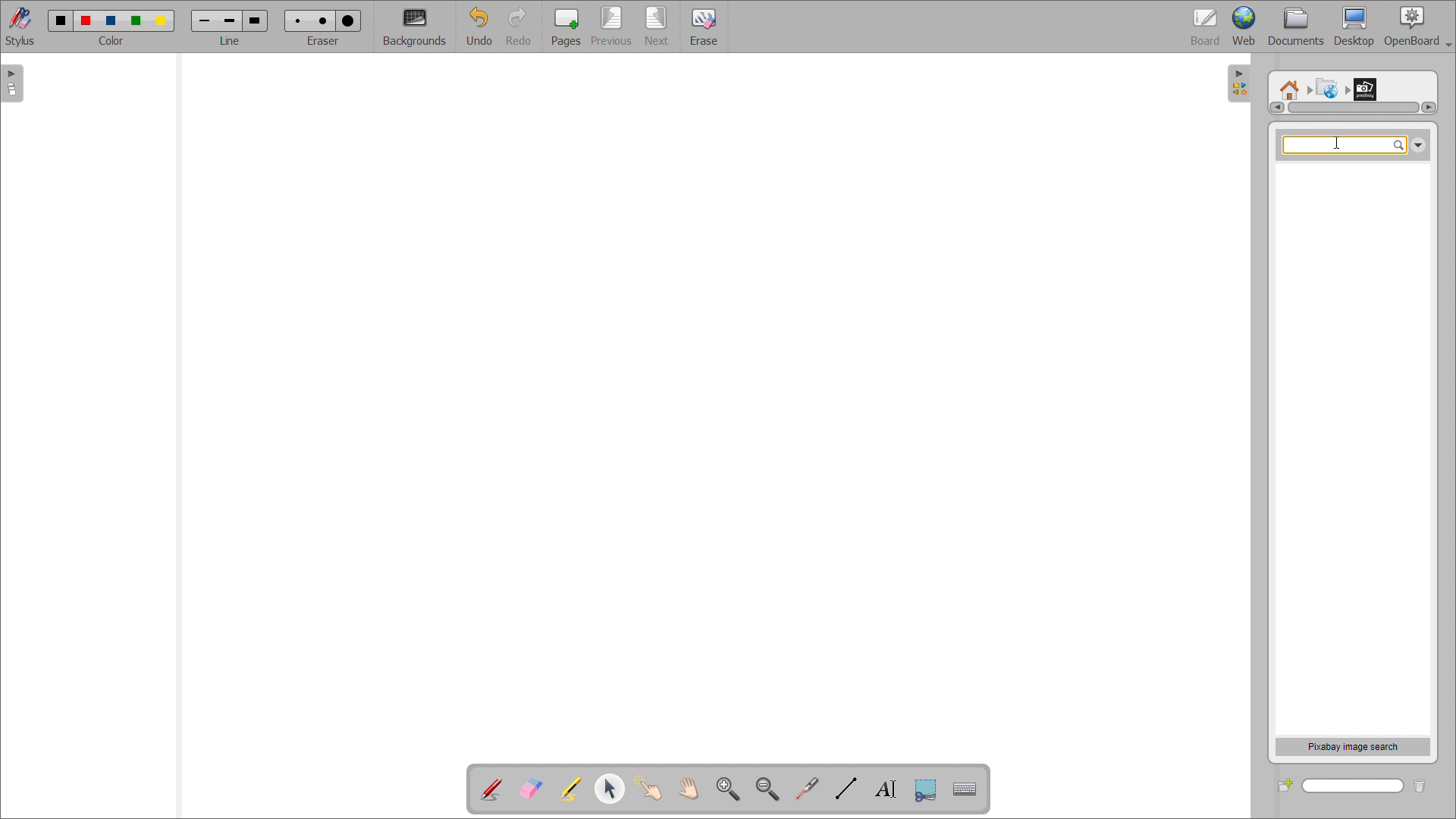 The width and height of the screenshot is (1456, 819). I want to click on desktop view, so click(1355, 27).